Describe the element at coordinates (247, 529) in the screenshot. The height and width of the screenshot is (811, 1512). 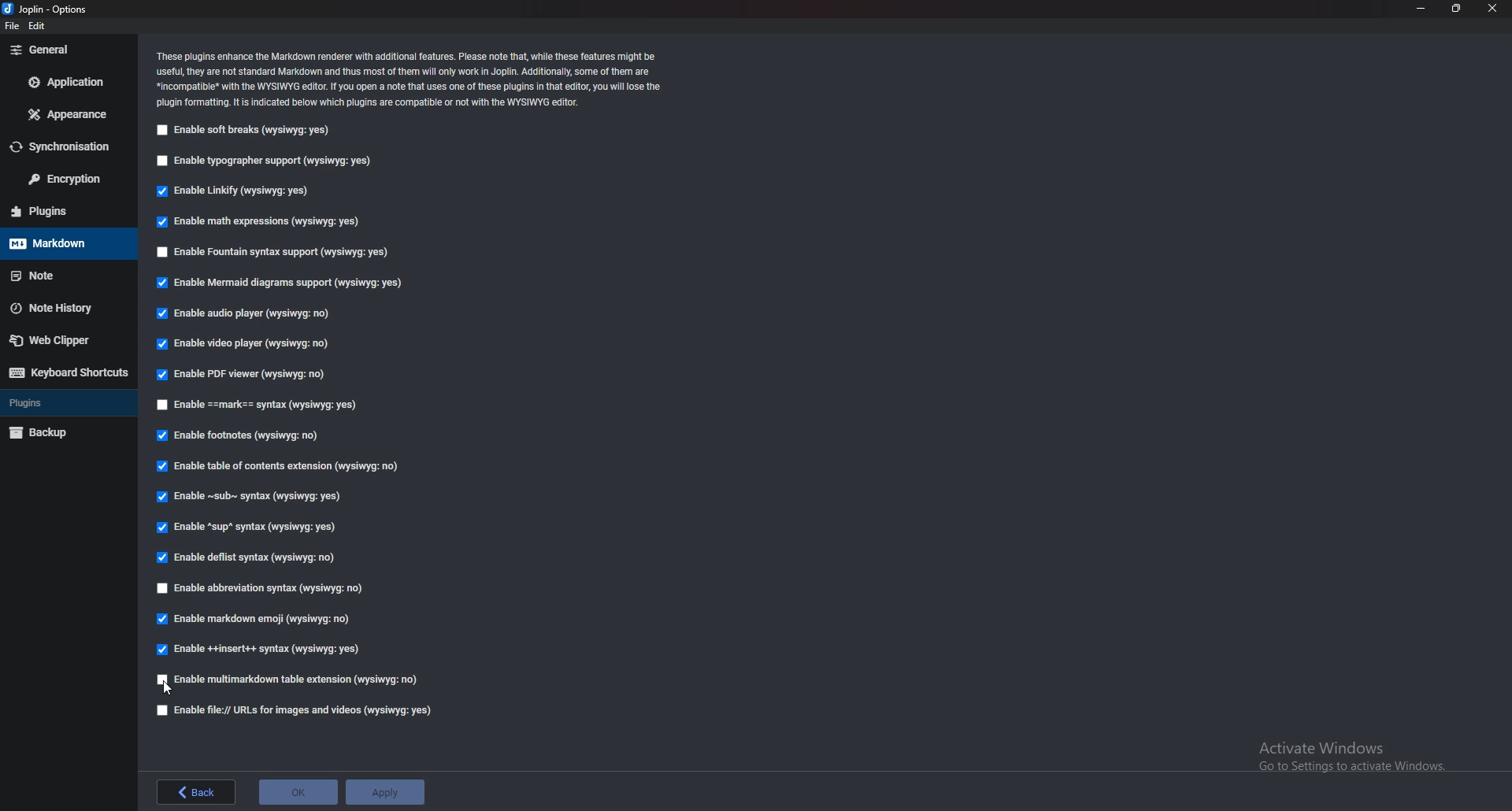
I see `enable sup syntax` at that location.